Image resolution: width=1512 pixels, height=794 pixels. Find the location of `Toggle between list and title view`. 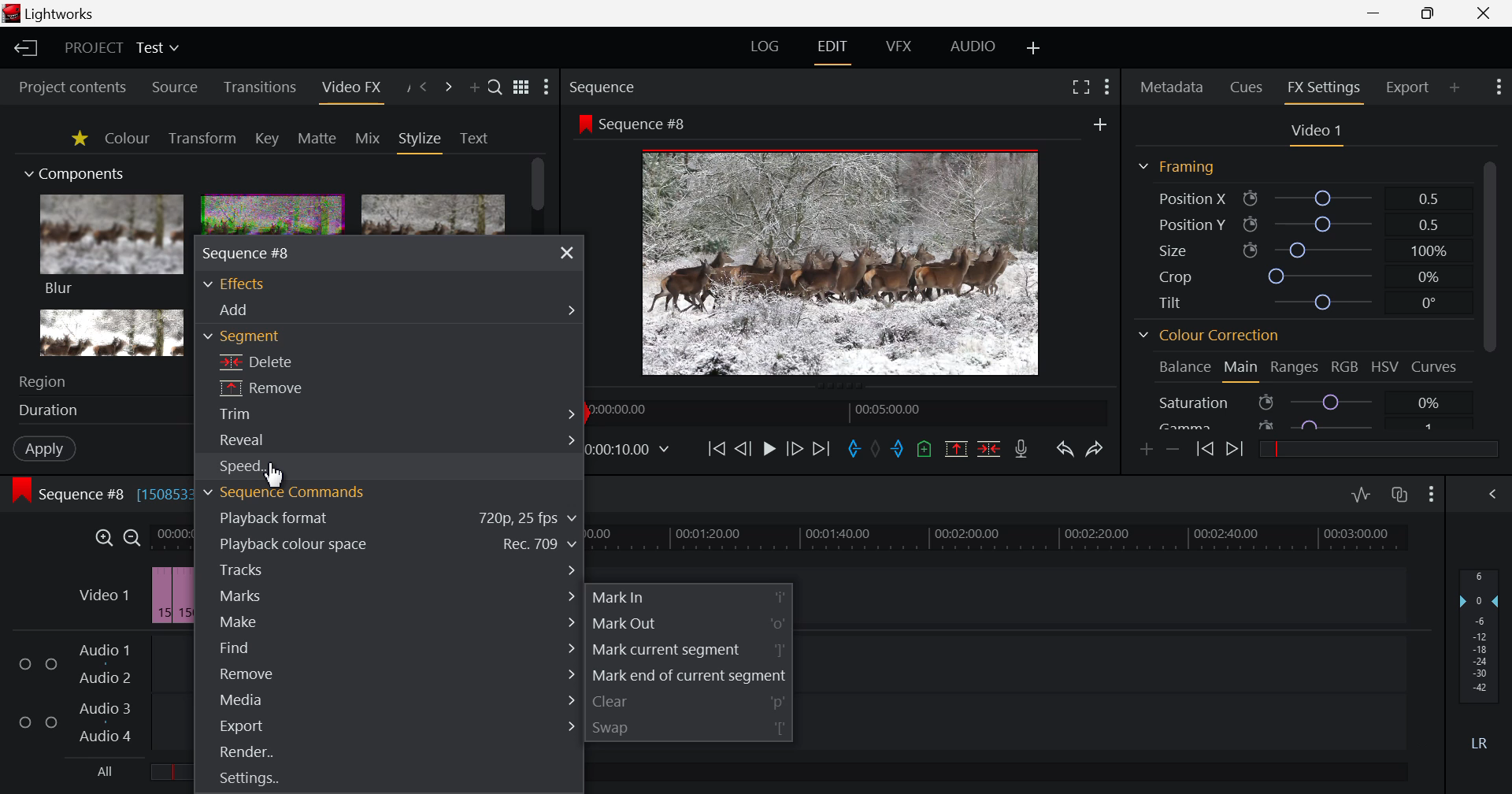

Toggle between list and title view is located at coordinates (521, 87).